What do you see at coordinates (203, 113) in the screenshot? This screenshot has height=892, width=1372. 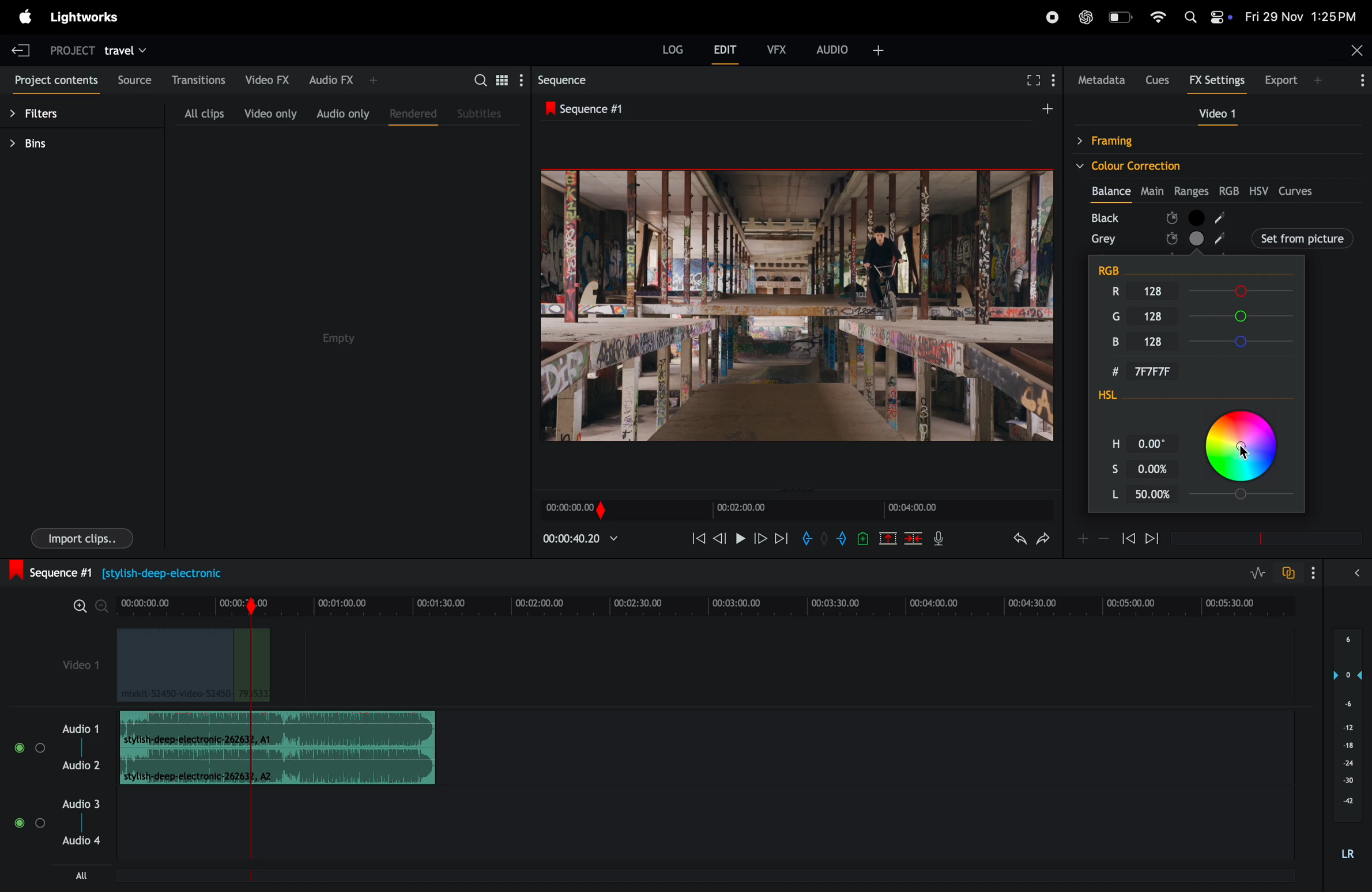 I see `all clips` at bounding box center [203, 113].